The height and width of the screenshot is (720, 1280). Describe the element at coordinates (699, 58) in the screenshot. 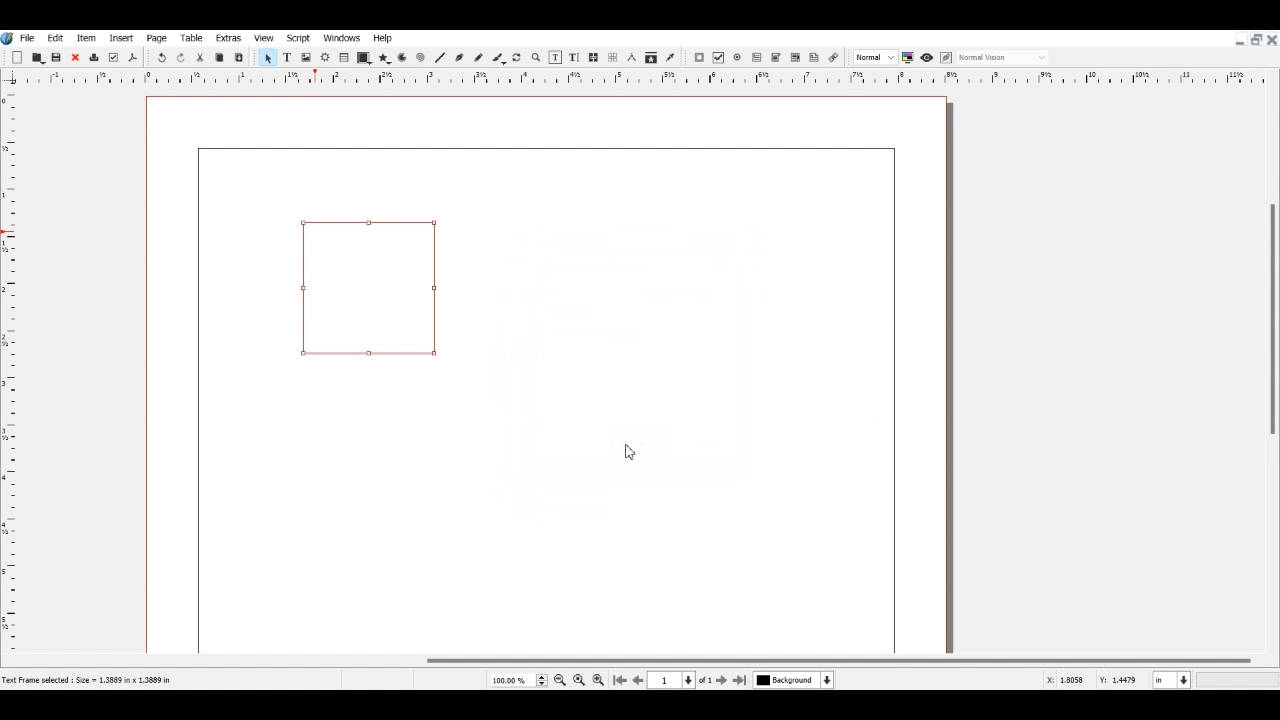

I see `PDF Push Button` at that location.